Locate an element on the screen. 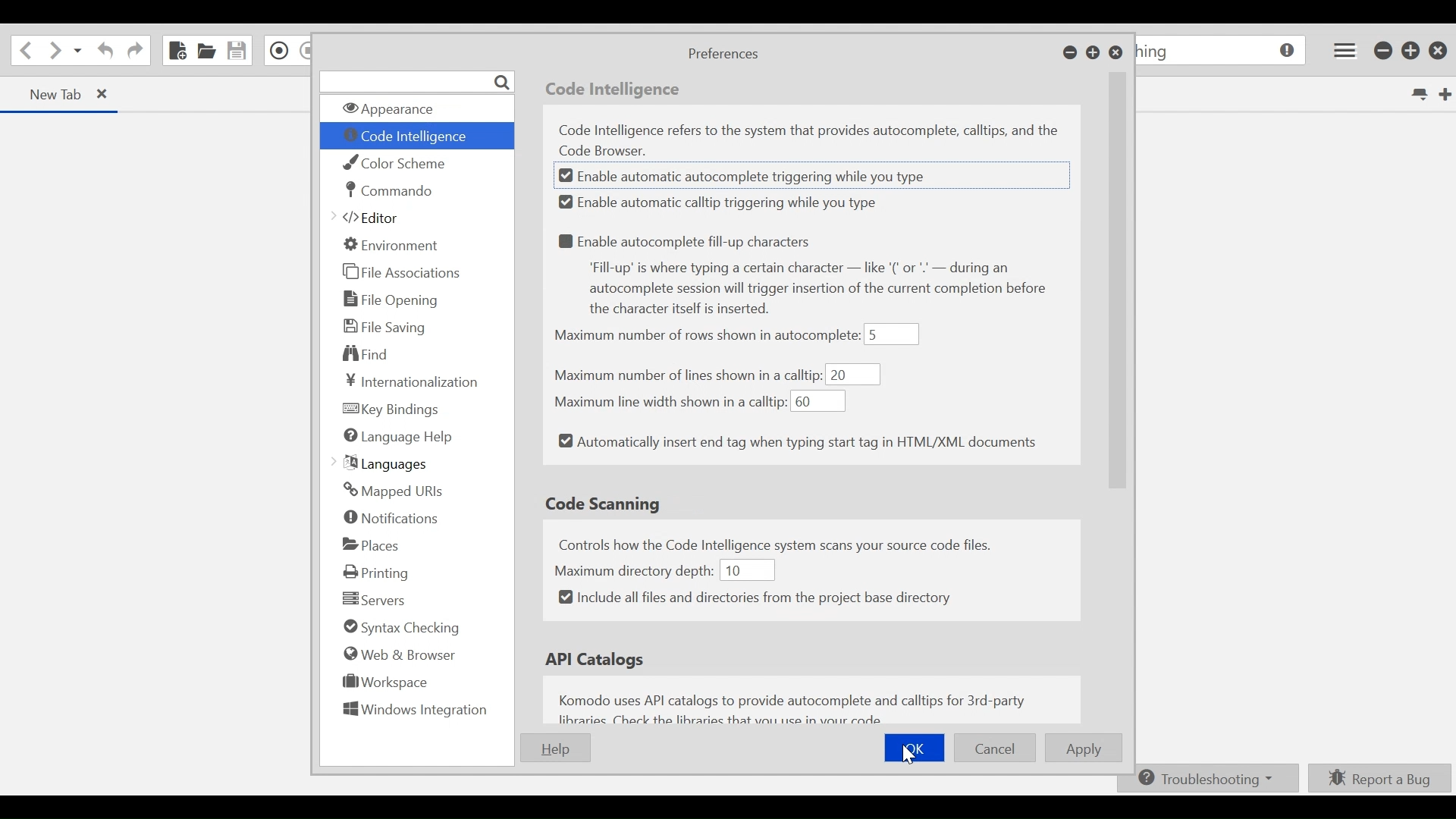 This screenshot has width=1456, height=819. List of tabs is located at coordinates (1417, 95).